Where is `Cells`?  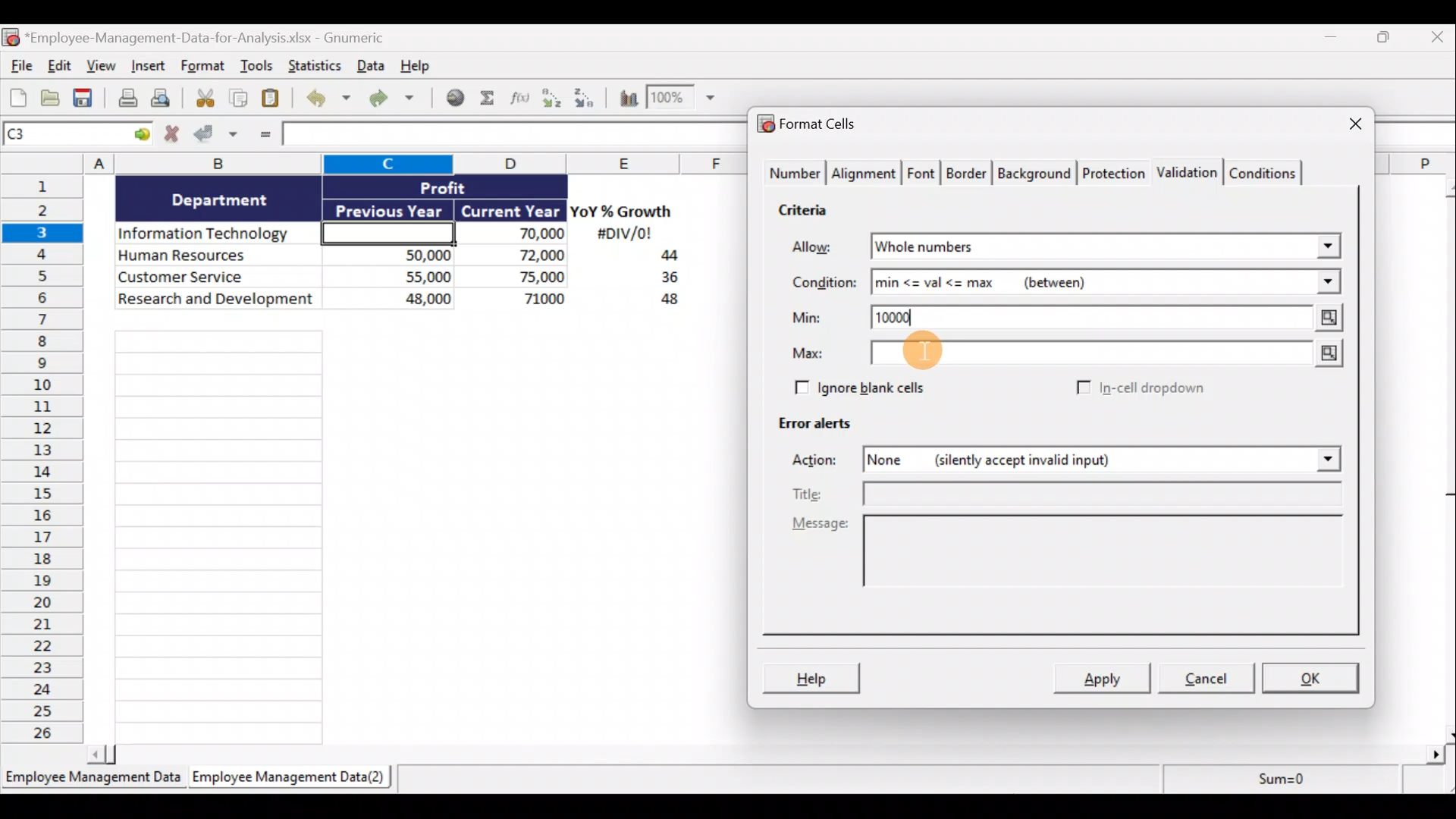
Cells is located at coordinates (408, 531).